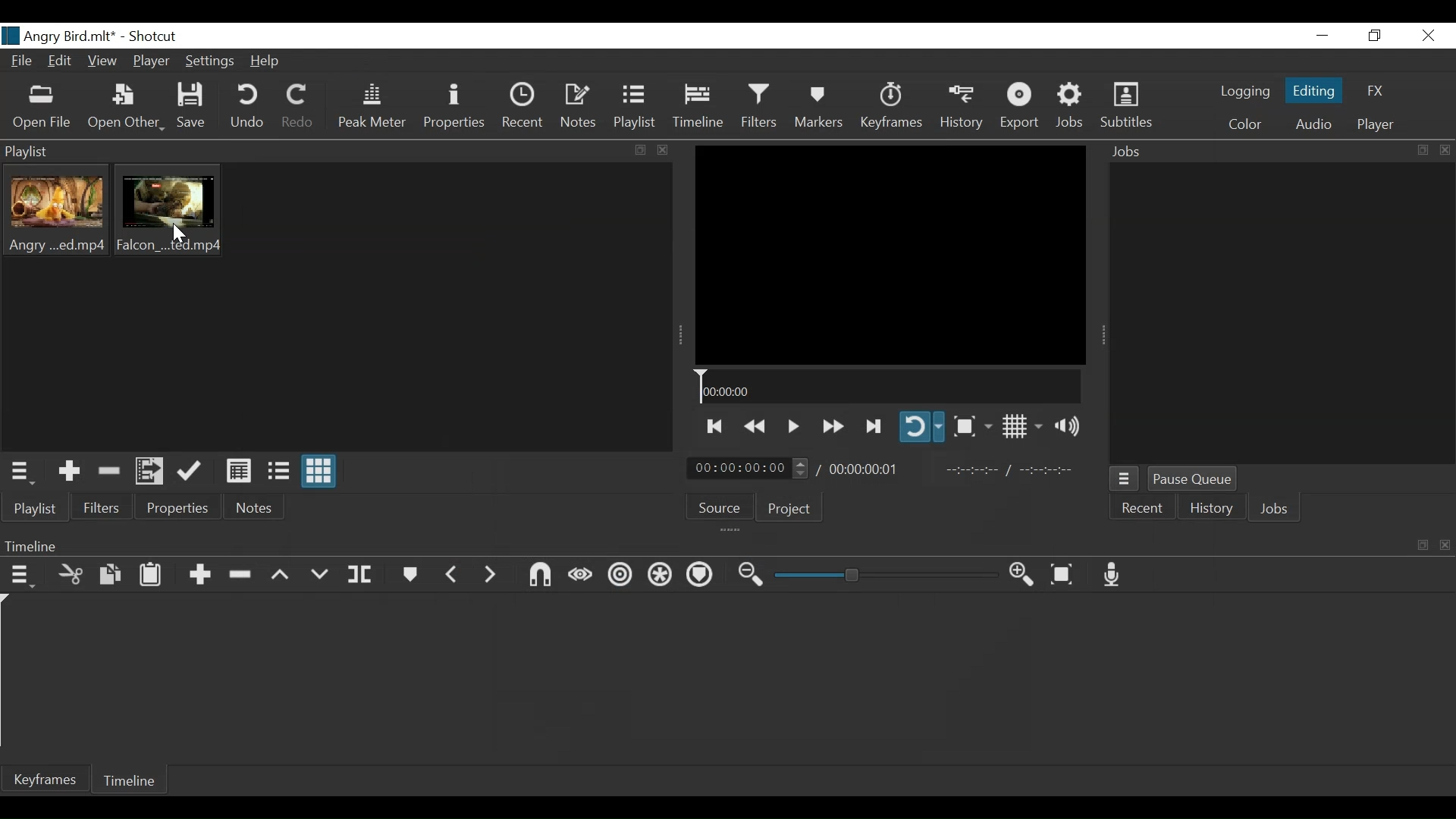 The image size is (1456, 819). What do you see at coordinates (1194, 480) in the screenshot?
I see `Pause Queue` at bounding box center [1194, 480].